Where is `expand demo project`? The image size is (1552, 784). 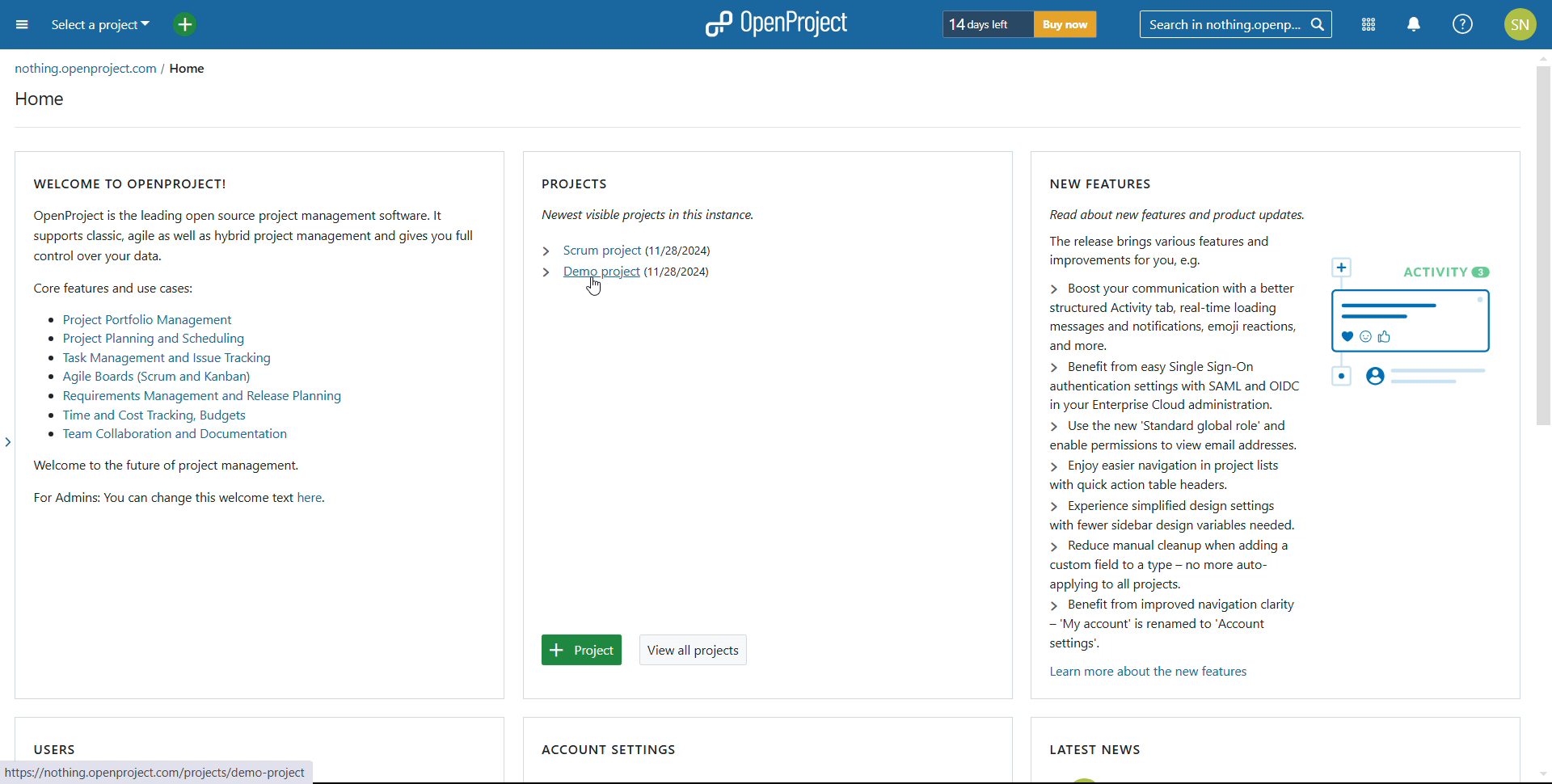 expand demo project is located at coordinates (544, 272).